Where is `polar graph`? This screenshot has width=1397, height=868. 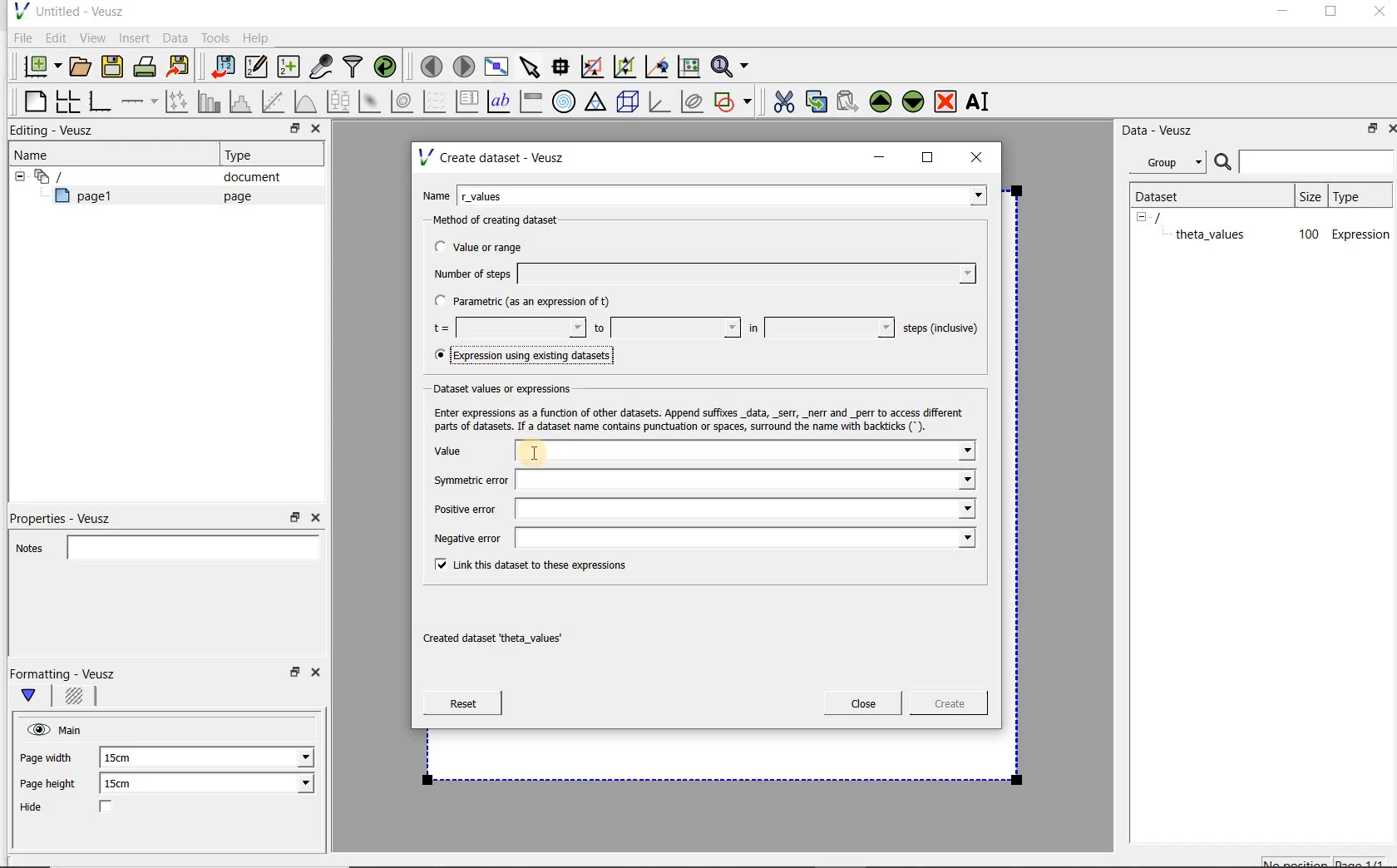
polar graph is located at coordinates (565, 101).